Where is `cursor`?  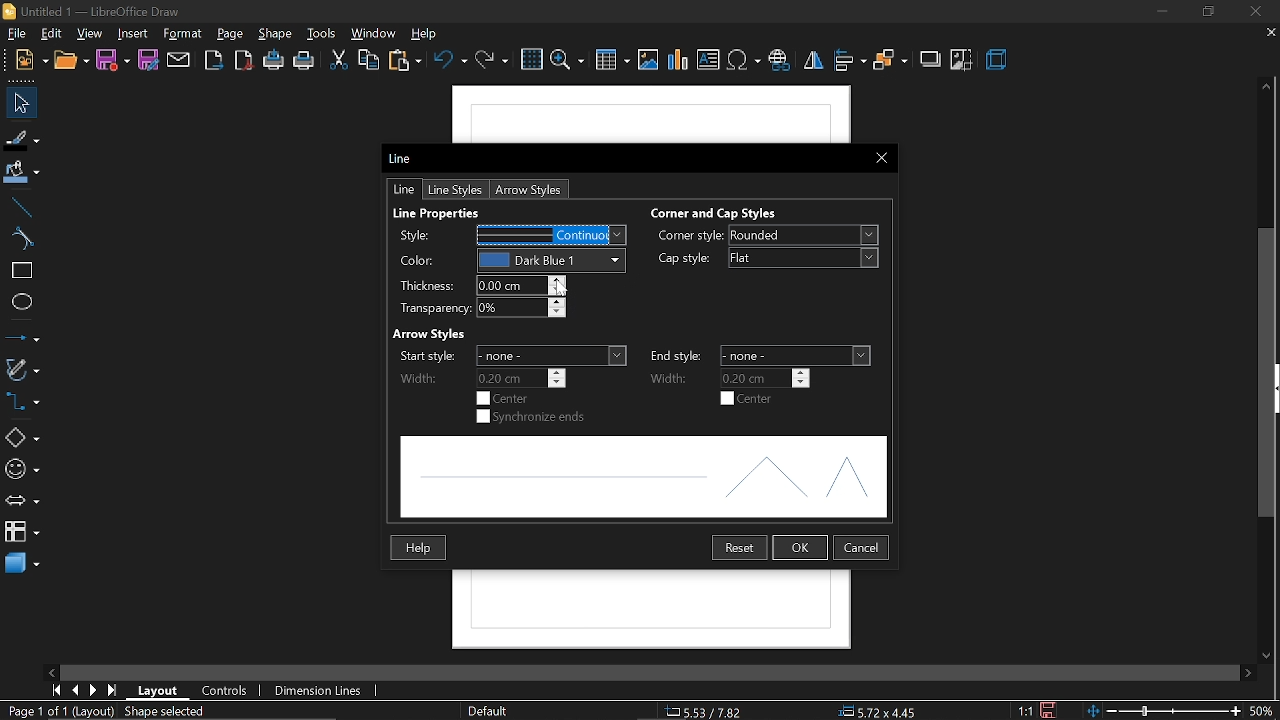 cursor is located at coordinates (565, 288).